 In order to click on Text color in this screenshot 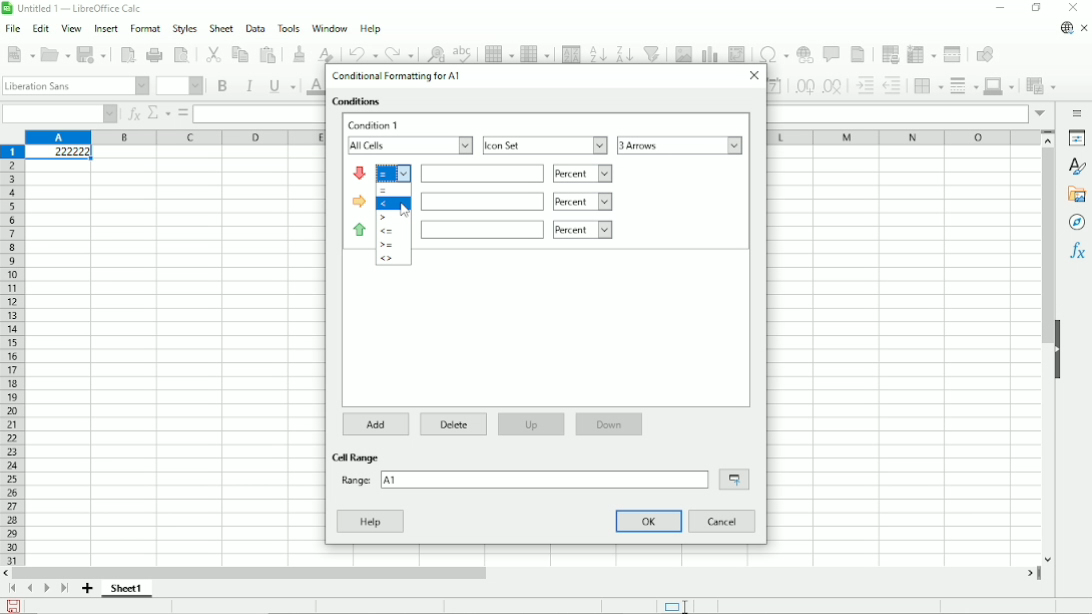, I will do `click(313, 86)`.